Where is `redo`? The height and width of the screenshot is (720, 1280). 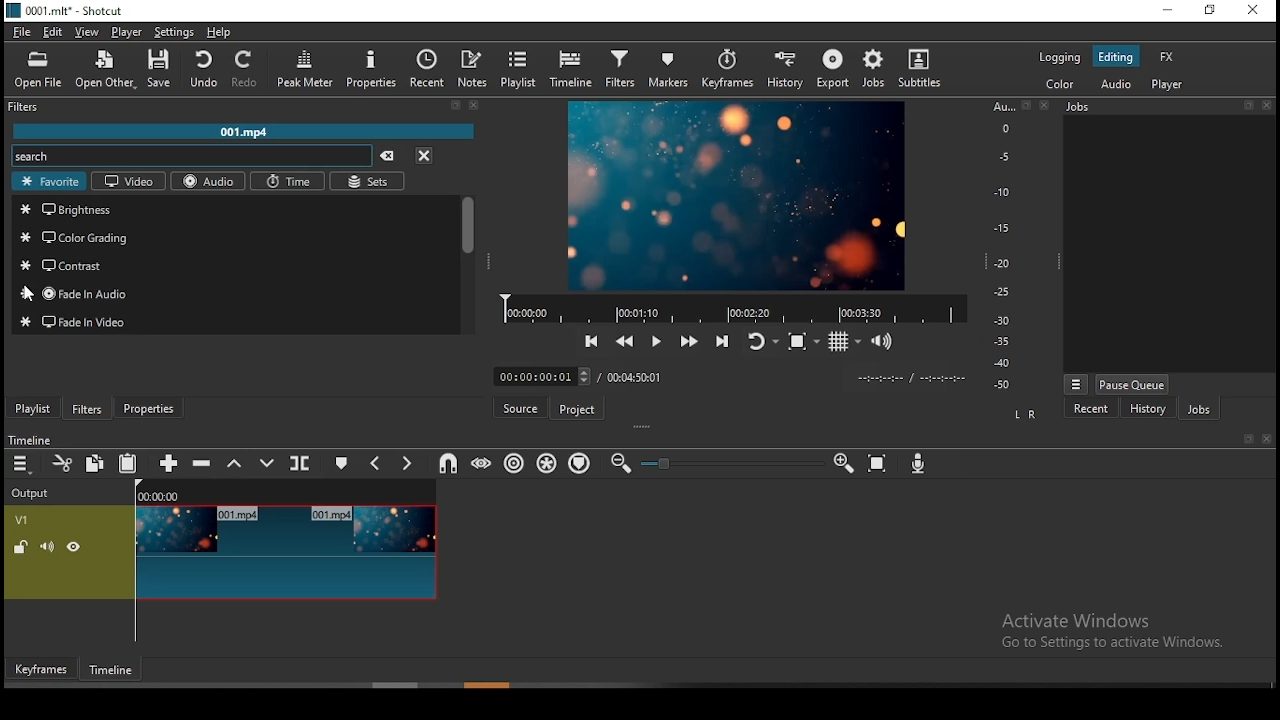 redo is located at coordinates (245, 70).